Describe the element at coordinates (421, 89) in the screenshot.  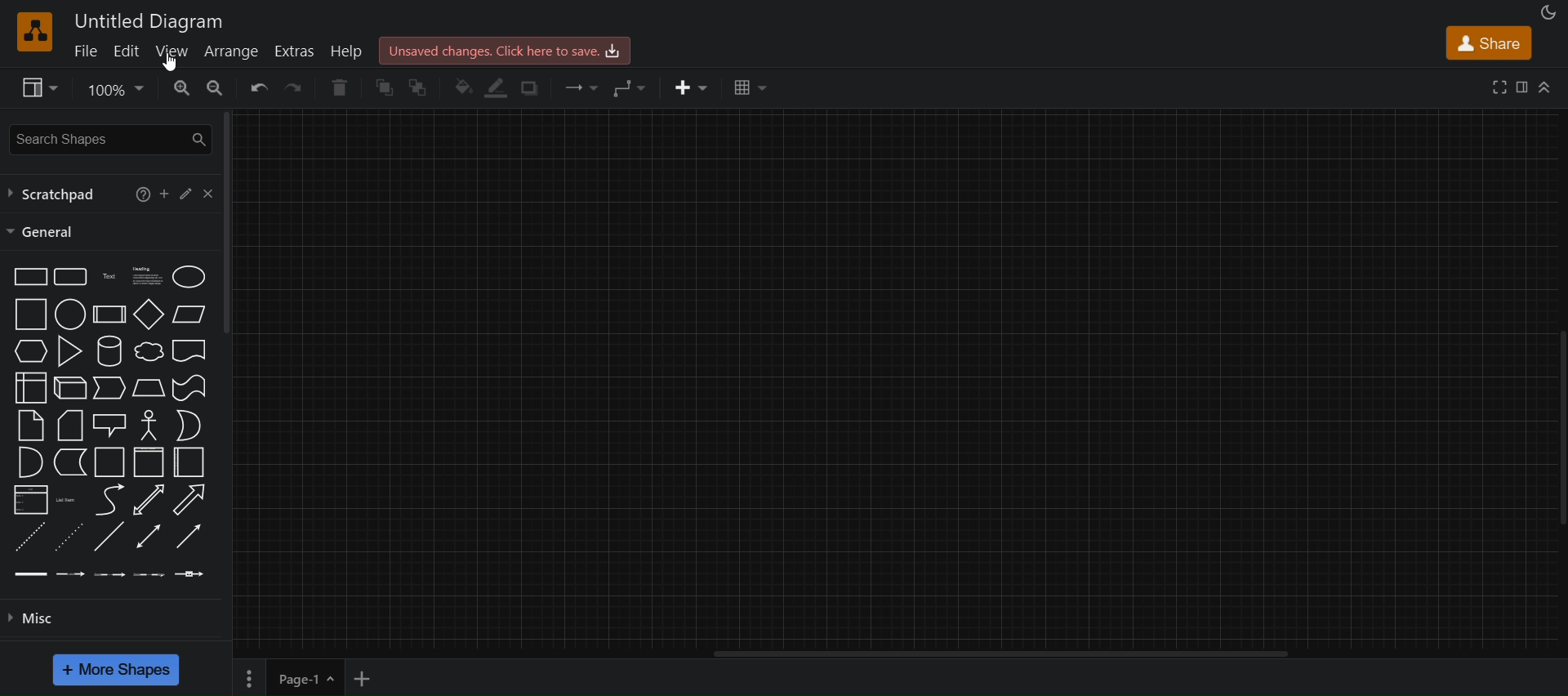
I see `to back` at that location.